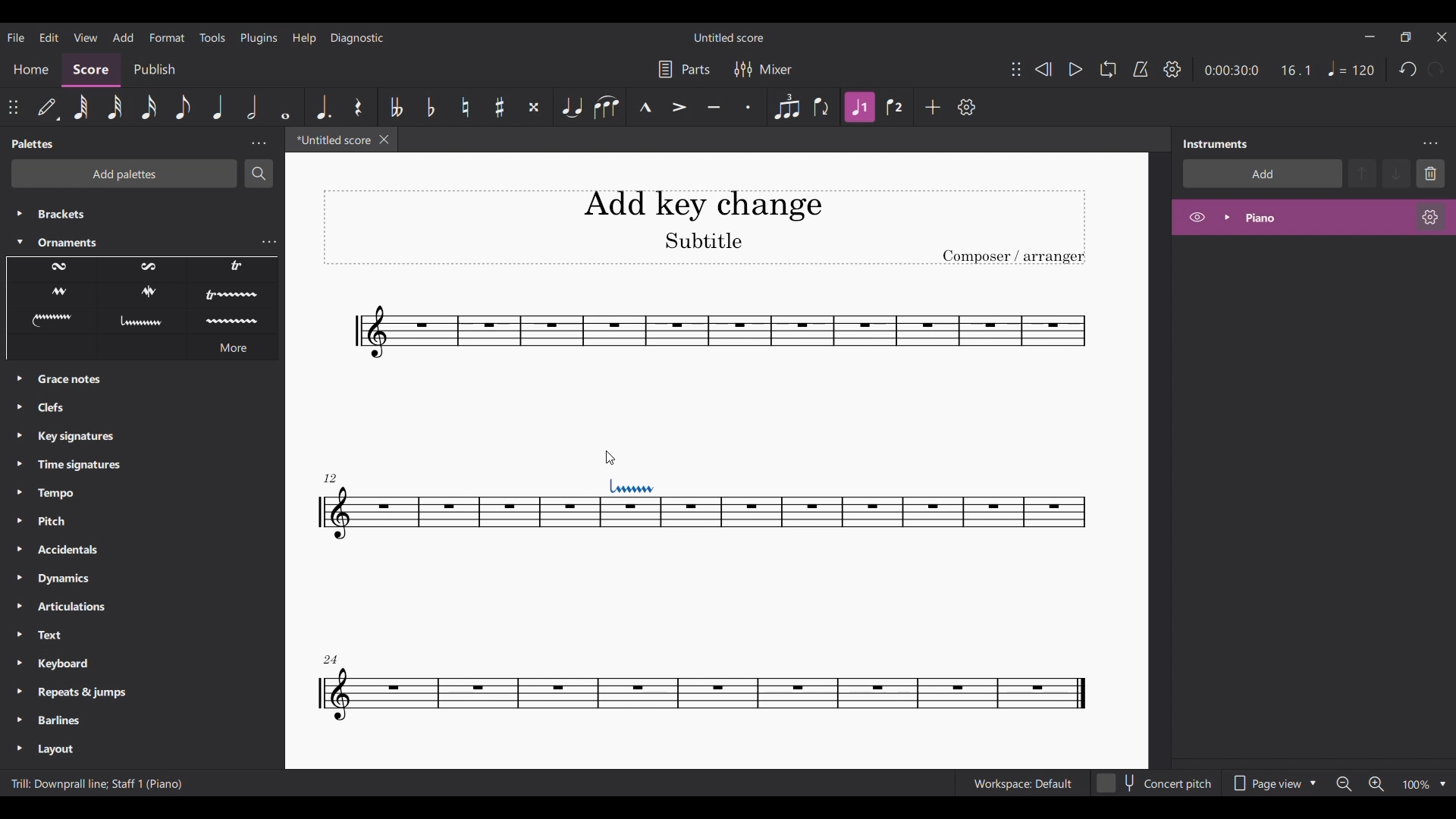 The width and height of the screenshot is (1456, 819). Describe the element at coordinates (714, 106) in the screenshot. I see `Tuneto` at that location.